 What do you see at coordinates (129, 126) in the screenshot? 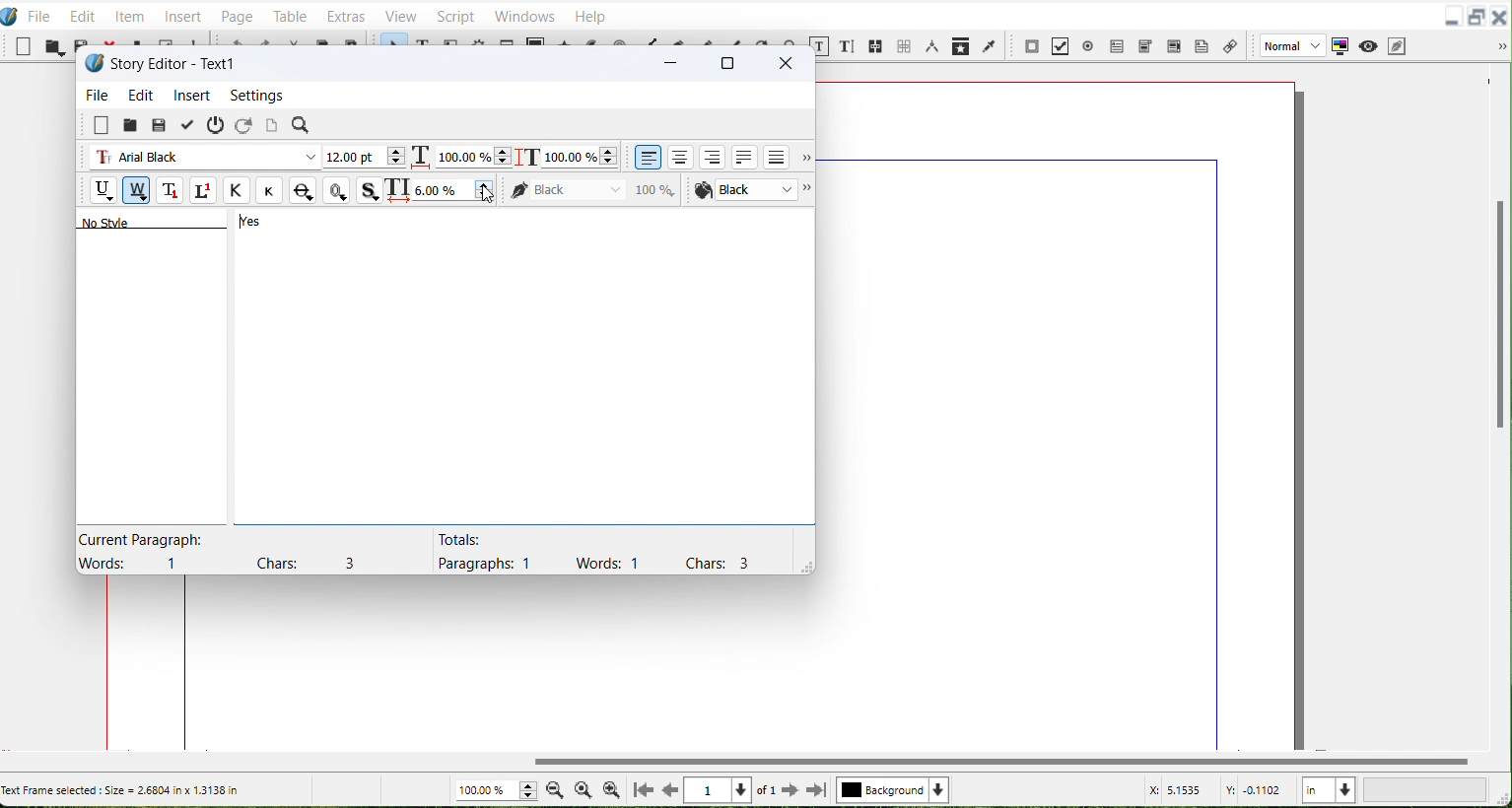
I see `Load from file` at bounding box center [129, 126].